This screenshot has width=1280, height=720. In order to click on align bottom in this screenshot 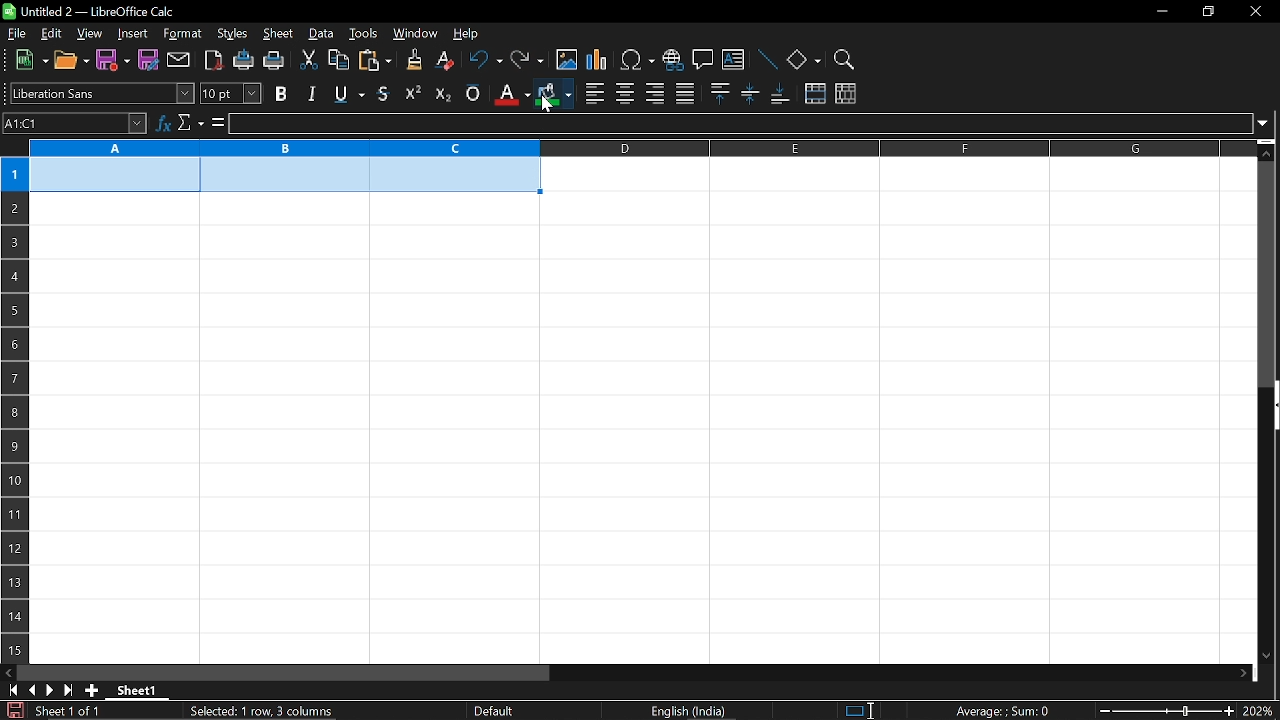, I will do `click(779, 95)`.